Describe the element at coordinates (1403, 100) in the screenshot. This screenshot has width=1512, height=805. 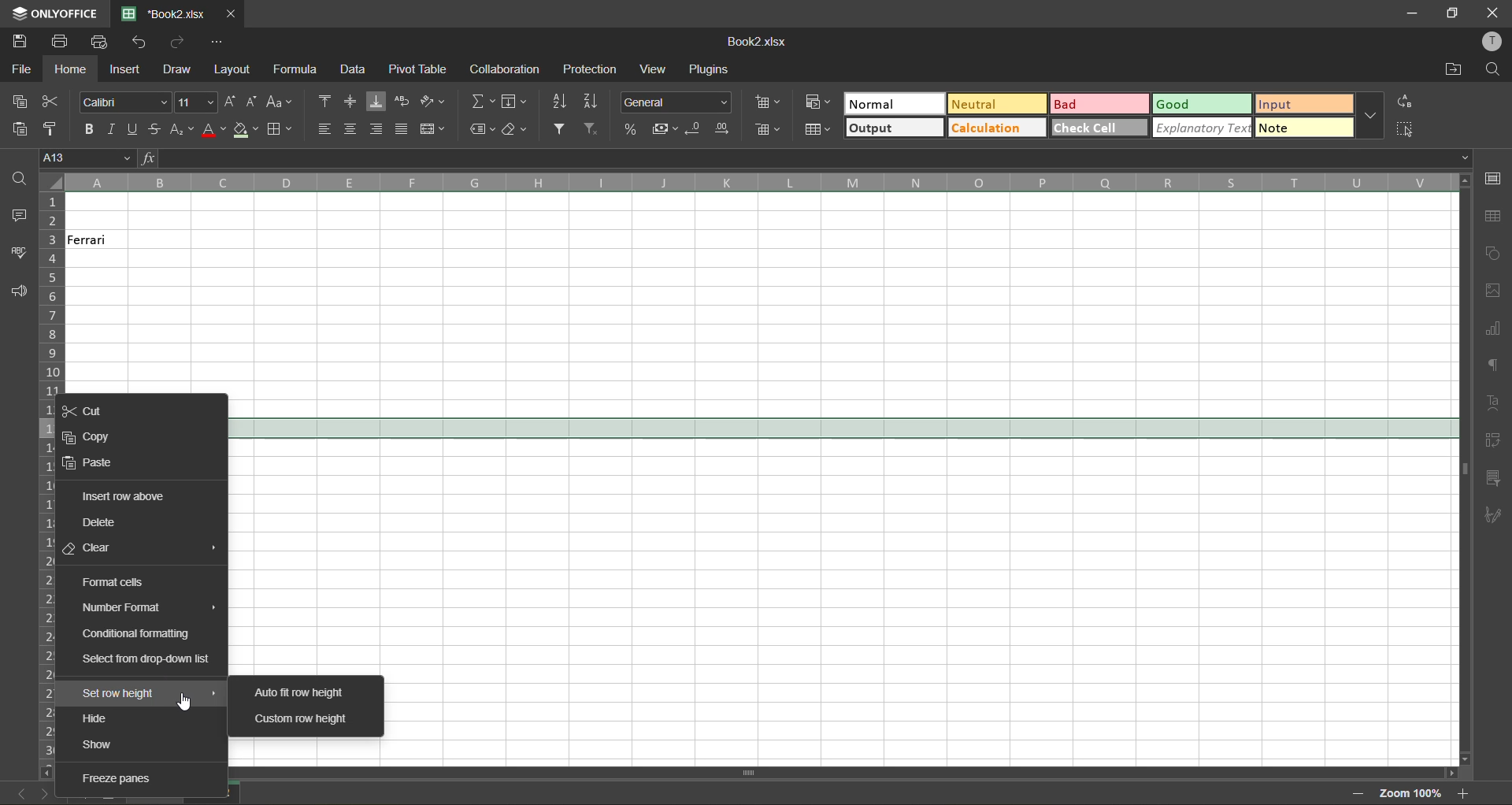
I see `replace` at that location.